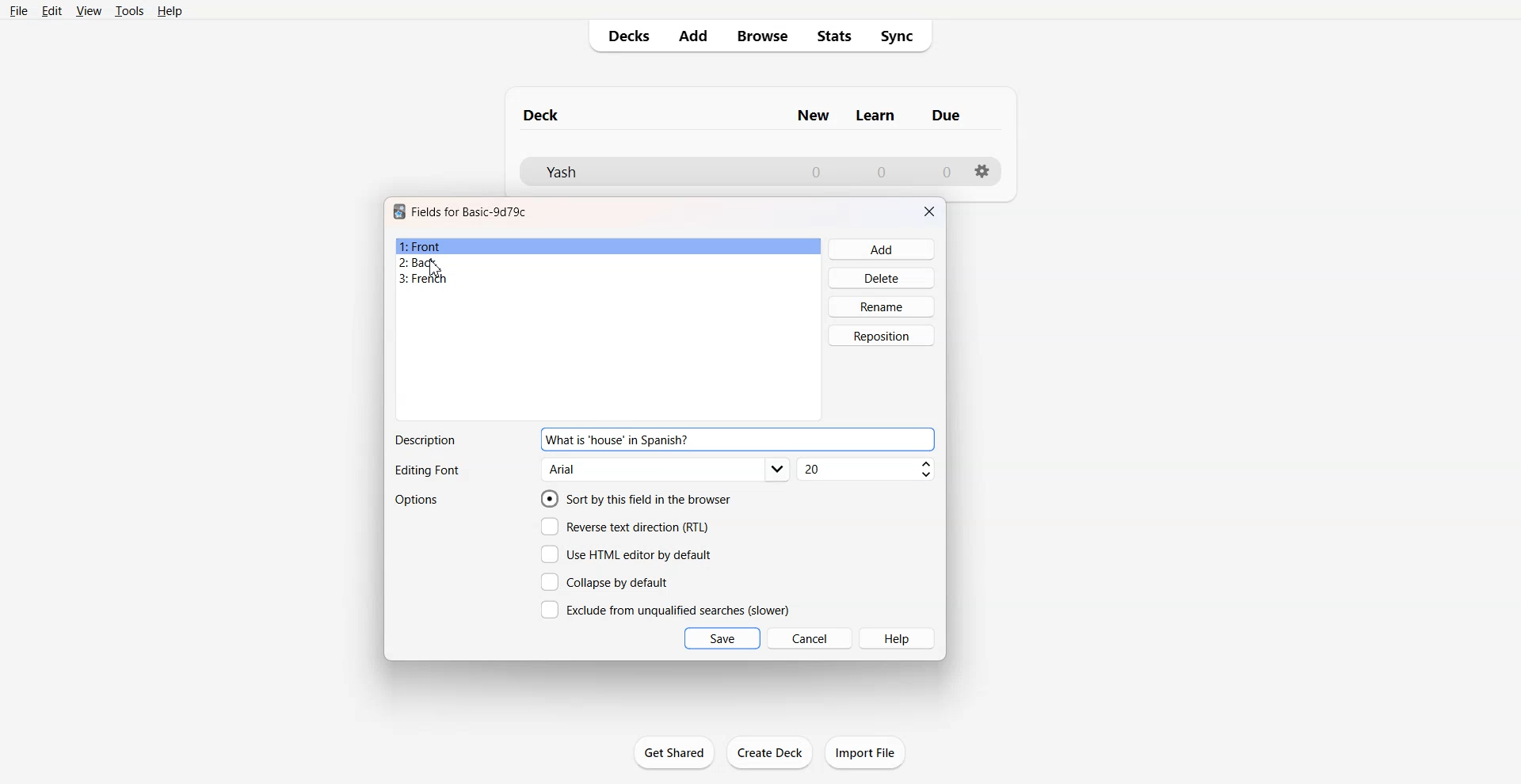  I want to click on Text 1, so click(470, 211).